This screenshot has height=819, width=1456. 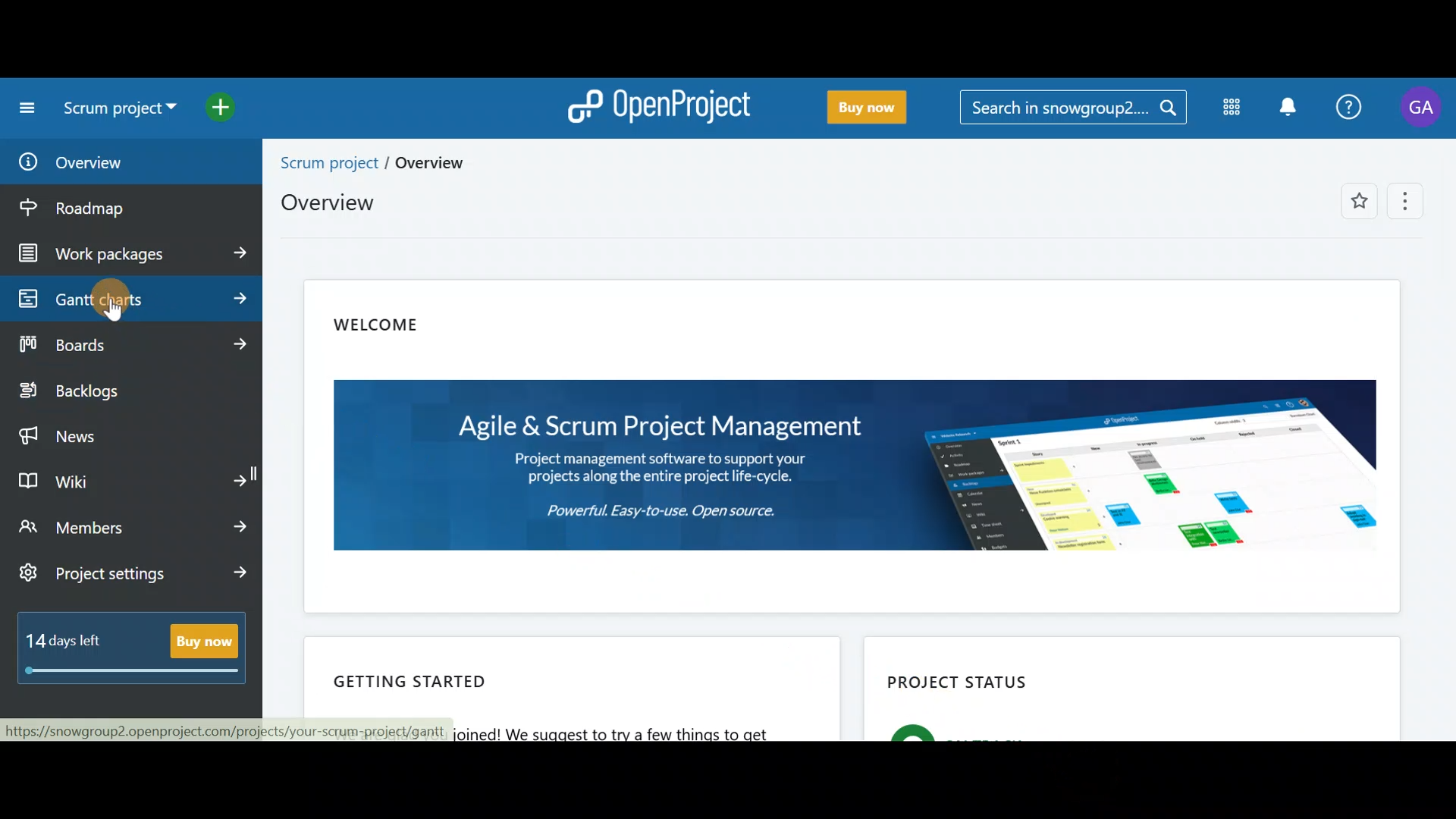 What do you see at coordinates (129, 348) in the screenshot?
I see `Boards` at bounding box center [129, 348].